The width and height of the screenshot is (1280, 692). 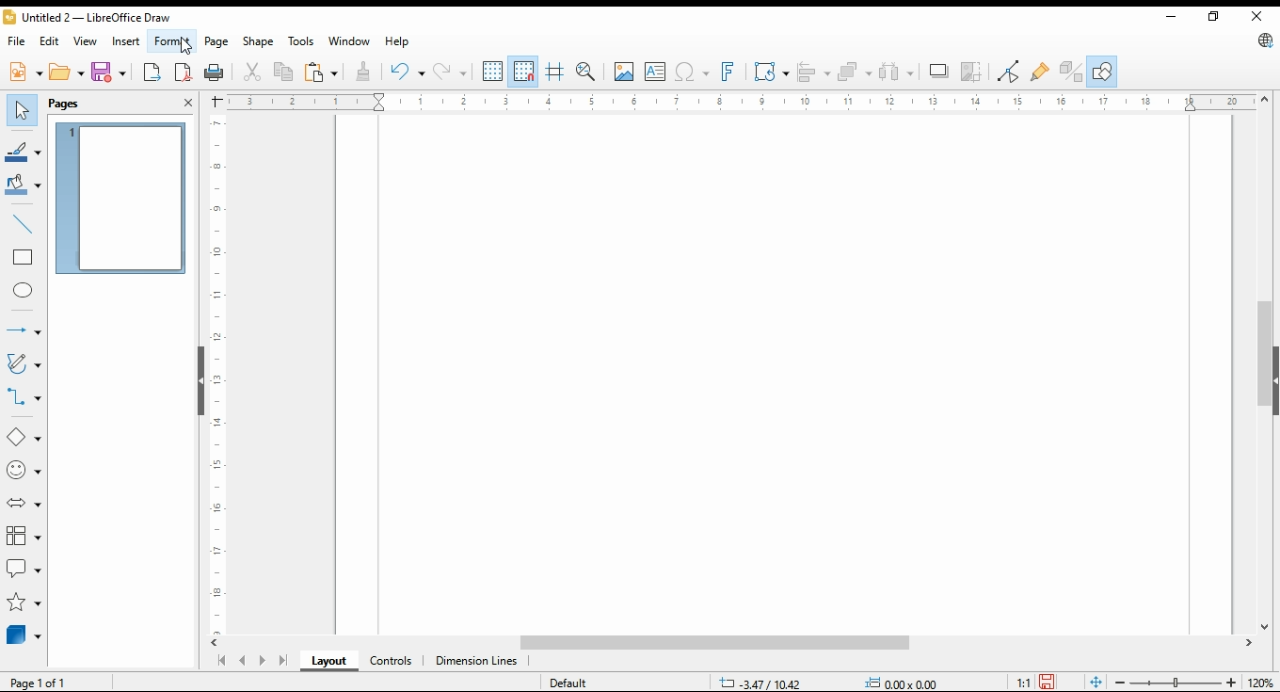 I want to click on save, so click(x=107, y=71).